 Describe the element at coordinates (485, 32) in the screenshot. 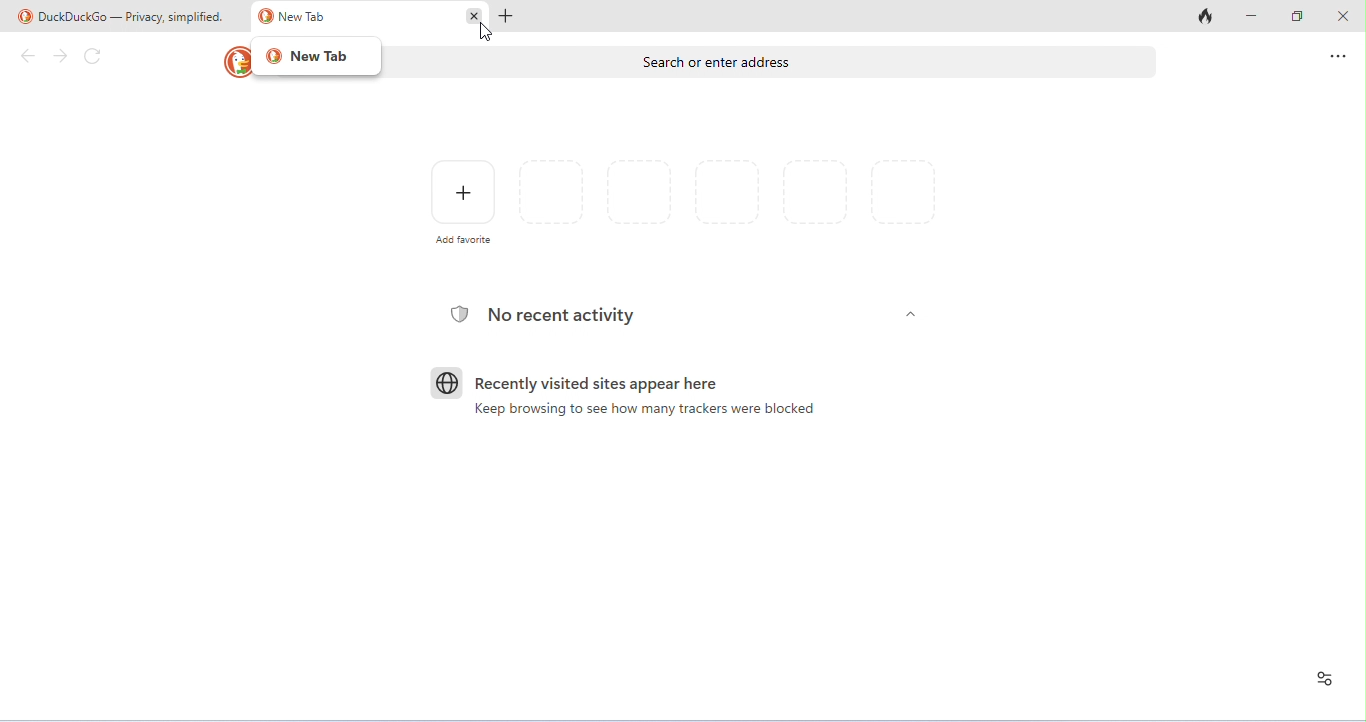

I see `cursor` at that location.